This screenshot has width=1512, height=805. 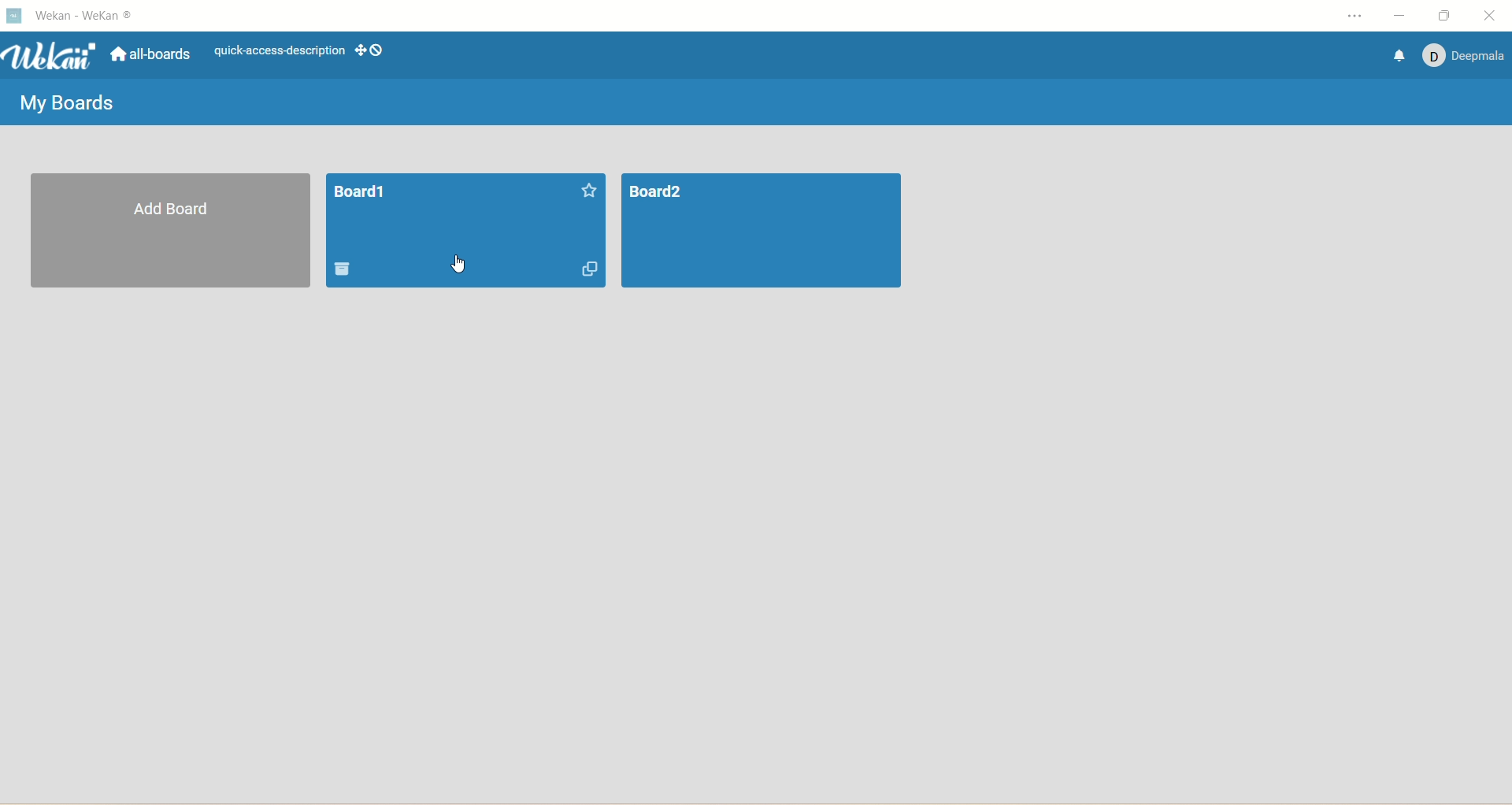 What do you see at coordinates (1445, 13) in the screenshot?
I see `maximize` at bounding box center [1445, 13].